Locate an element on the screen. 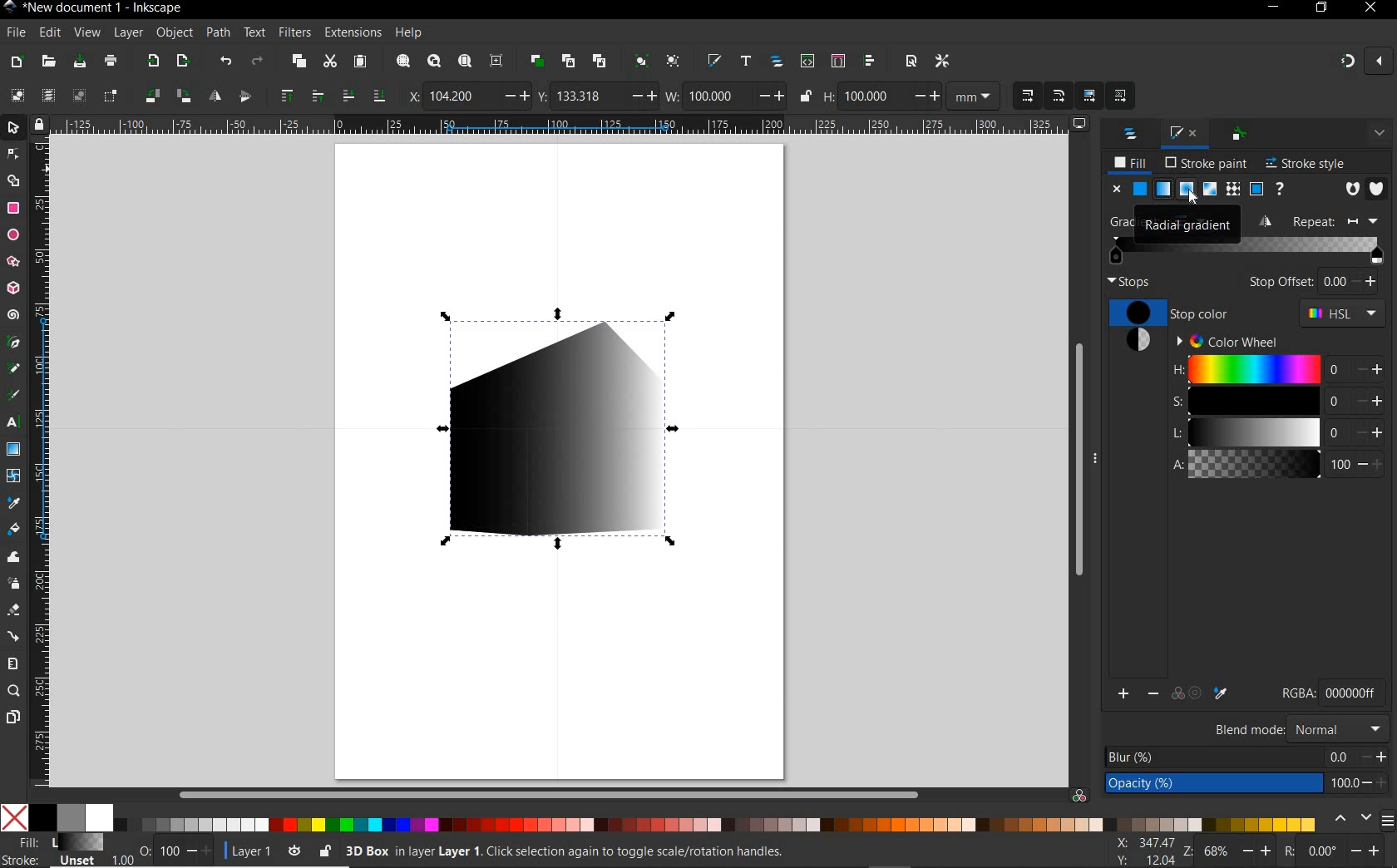  TOGGLE SELECTION BOX is located at coordinates (111, 97).